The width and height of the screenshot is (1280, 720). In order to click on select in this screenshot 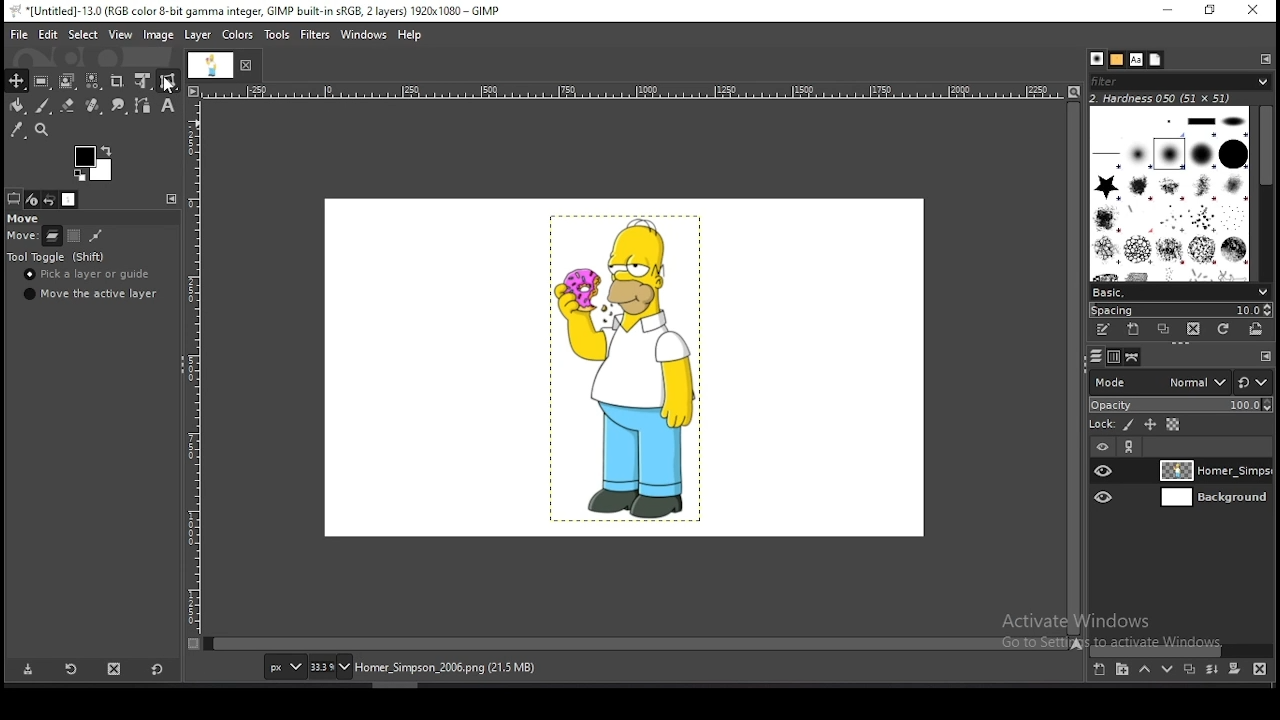, I will do `click(83, 34)`.